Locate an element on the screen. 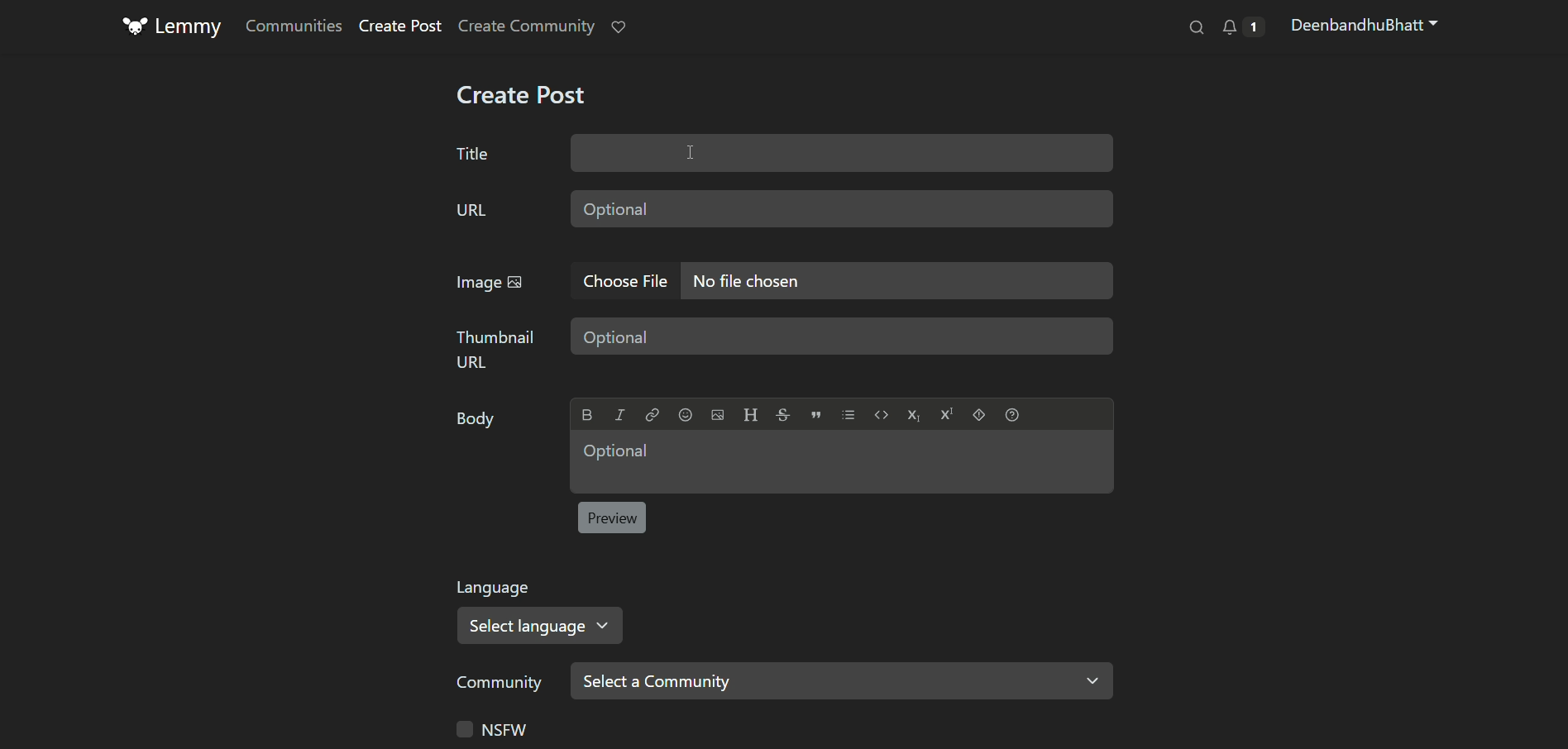 This screenshot has height=749, width=1568. Bold is located at coordinates (586, 415).